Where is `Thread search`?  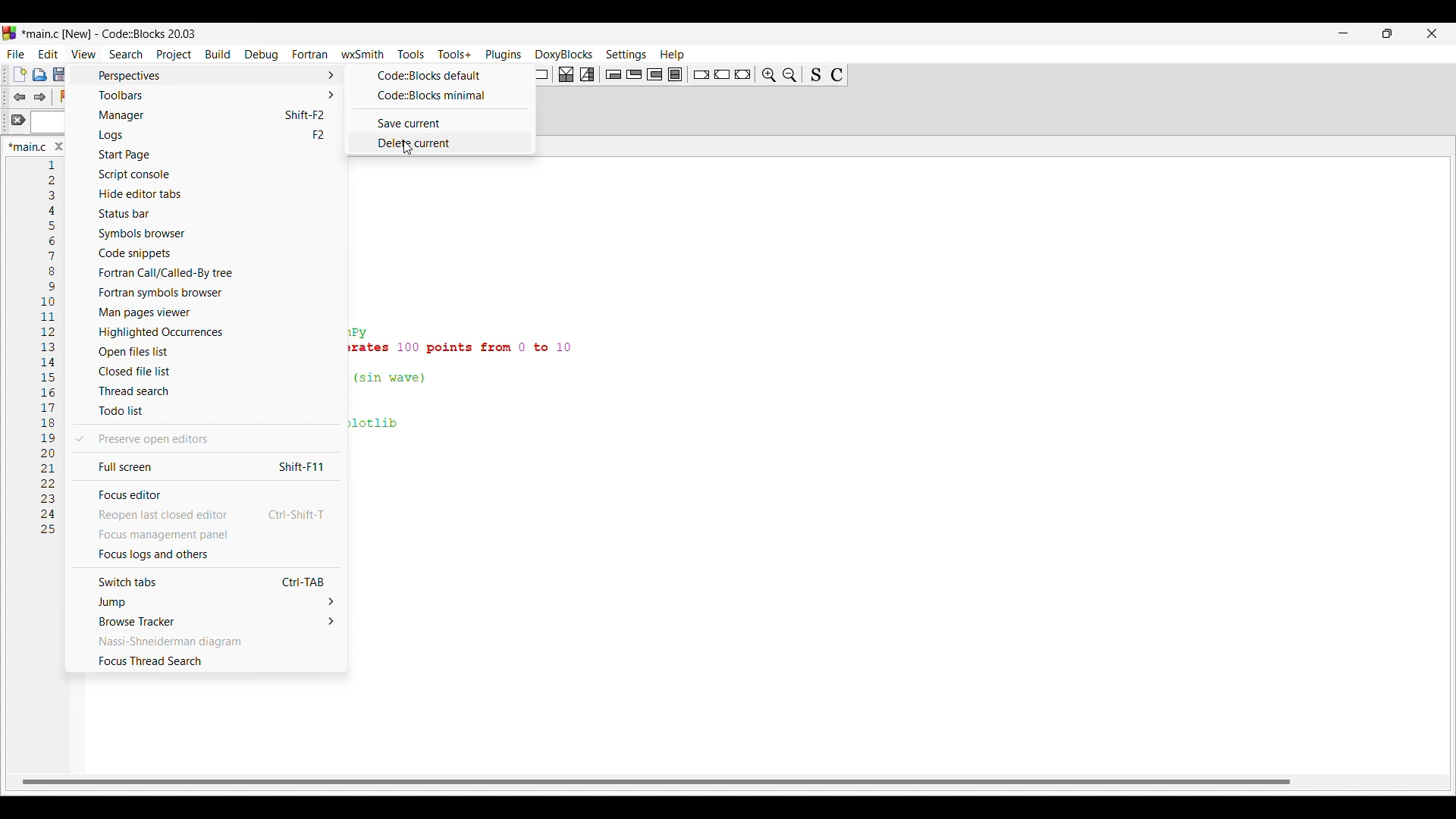 Thread search is located at coordinates (206, 391).